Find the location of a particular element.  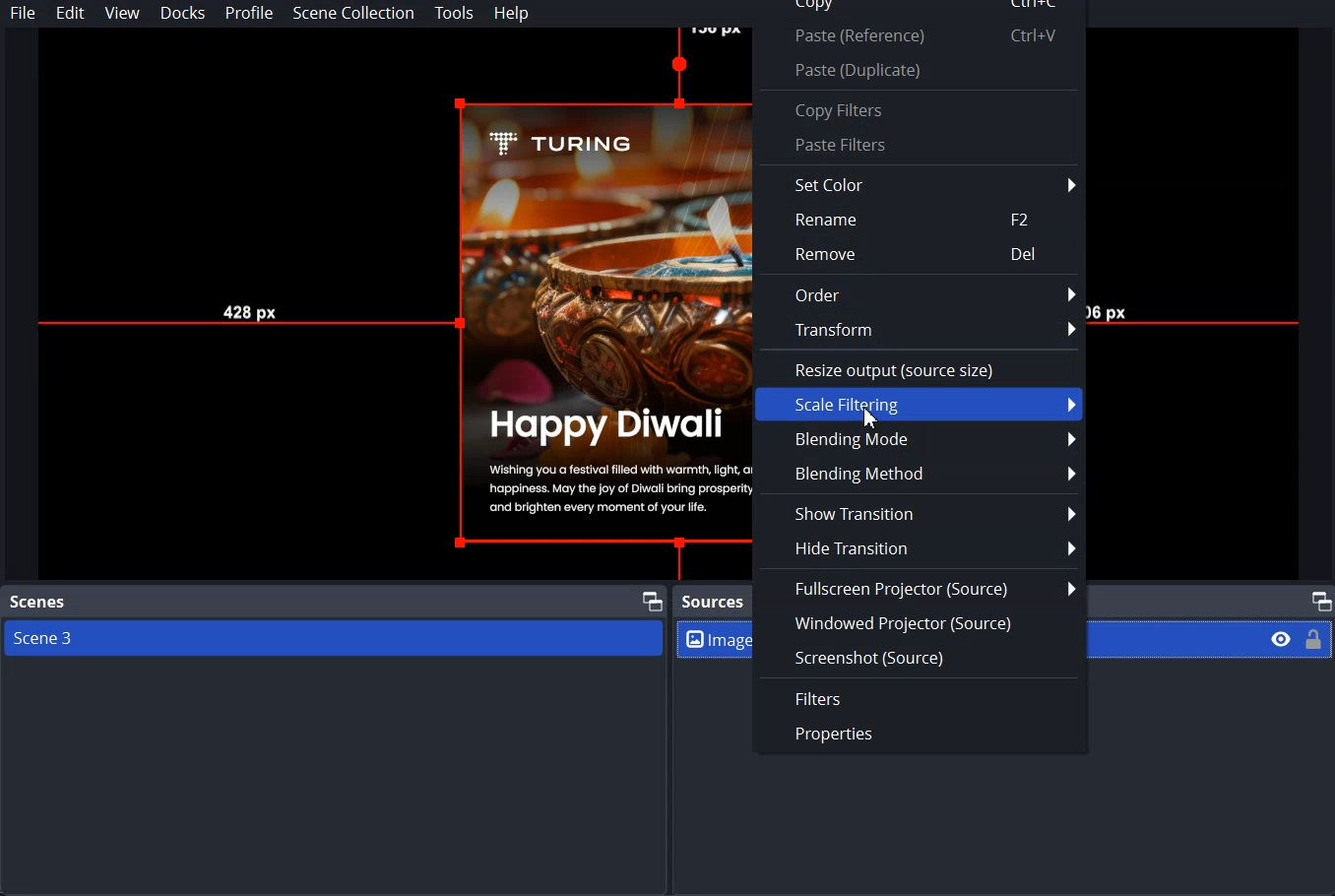

Cursor is located at coordinates (871, 420).